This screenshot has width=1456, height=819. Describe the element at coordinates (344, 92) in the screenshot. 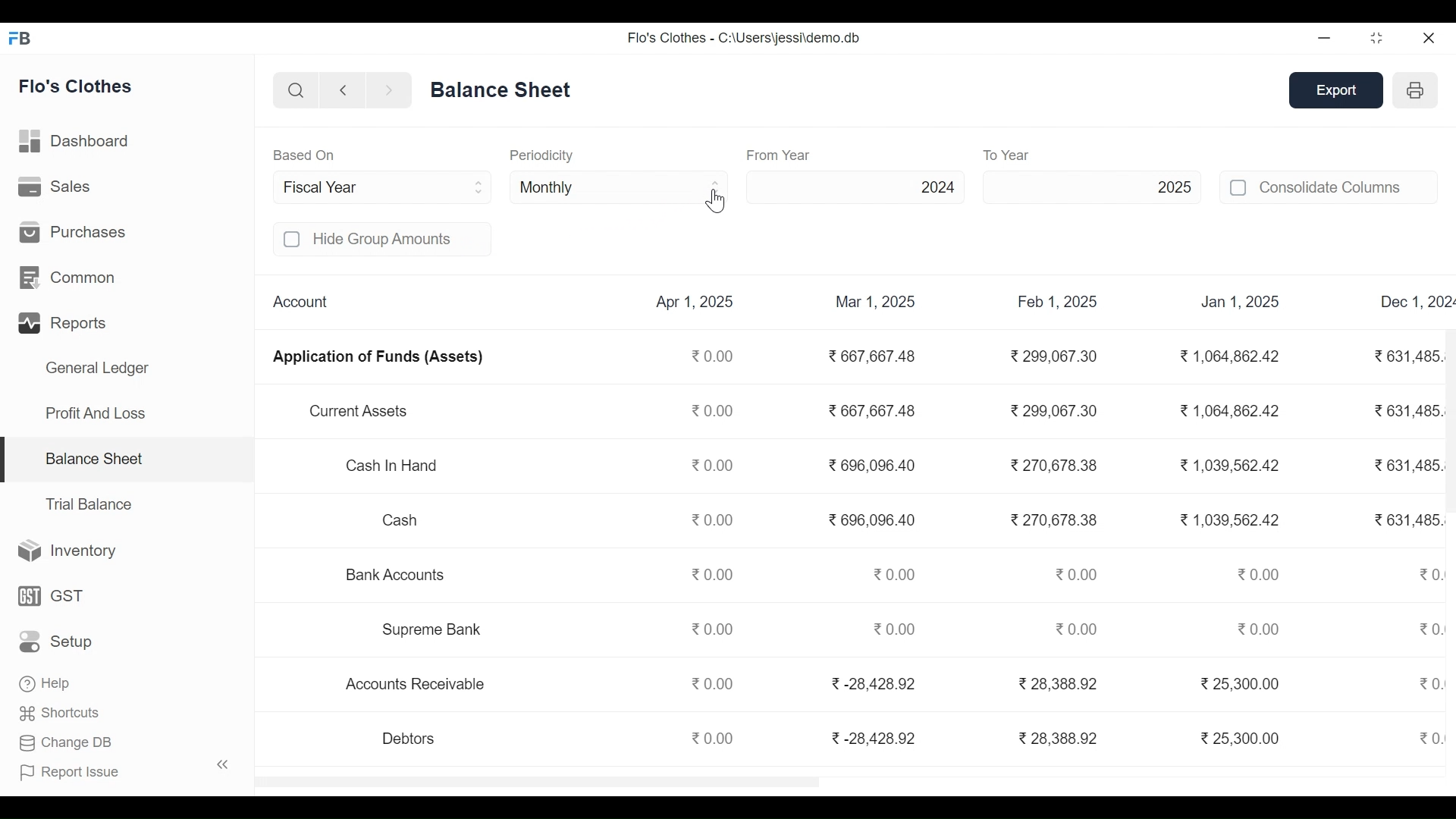

I see `backward` at that location.